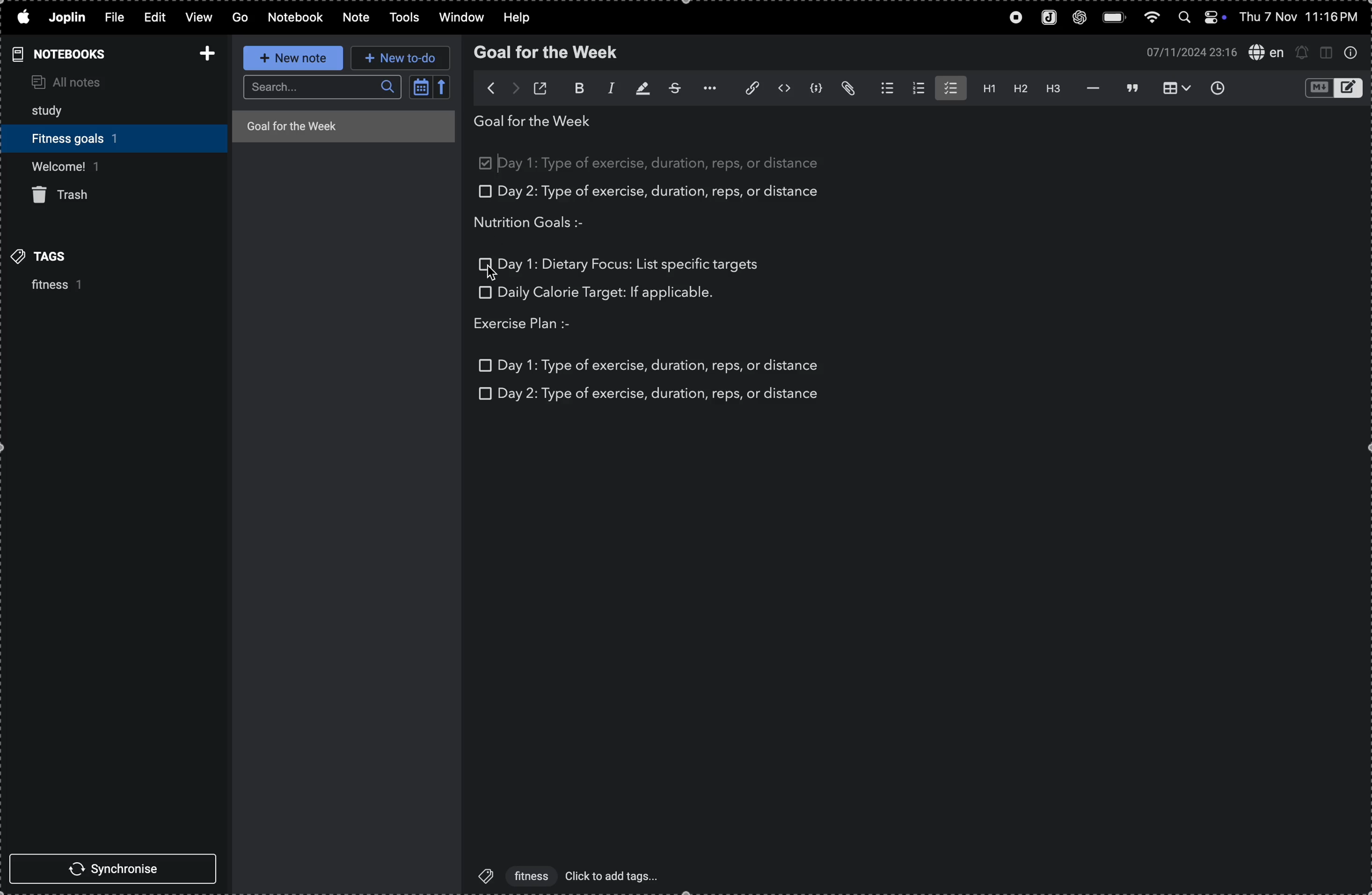 The height and width of the screenshot is (895, 1372). What do you see at coordinates (67, 18) in the screenshot?
I see `joplin` at bounding box center [67, 18].